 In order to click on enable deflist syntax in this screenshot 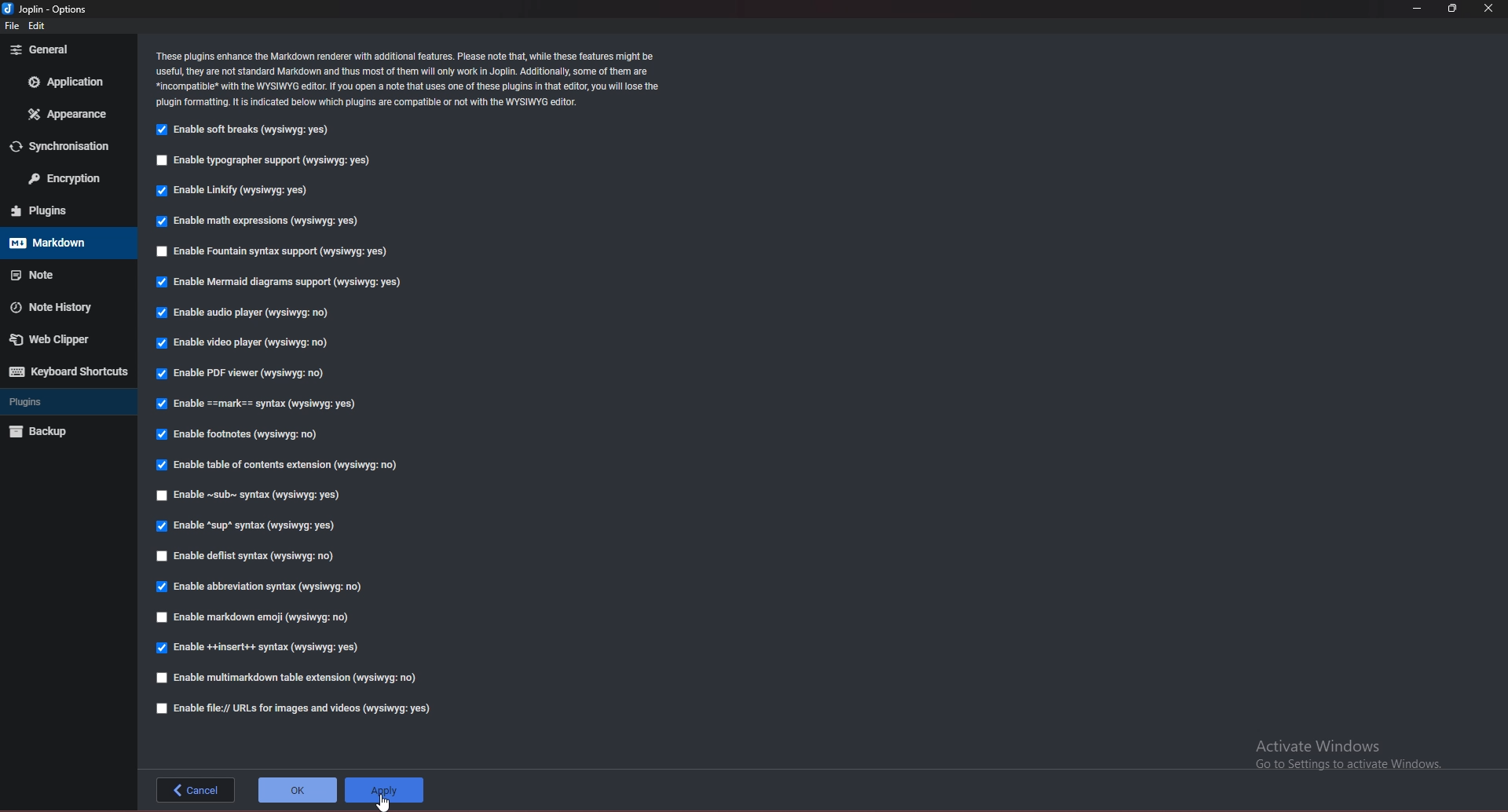, I will do `click(253, 558)`.